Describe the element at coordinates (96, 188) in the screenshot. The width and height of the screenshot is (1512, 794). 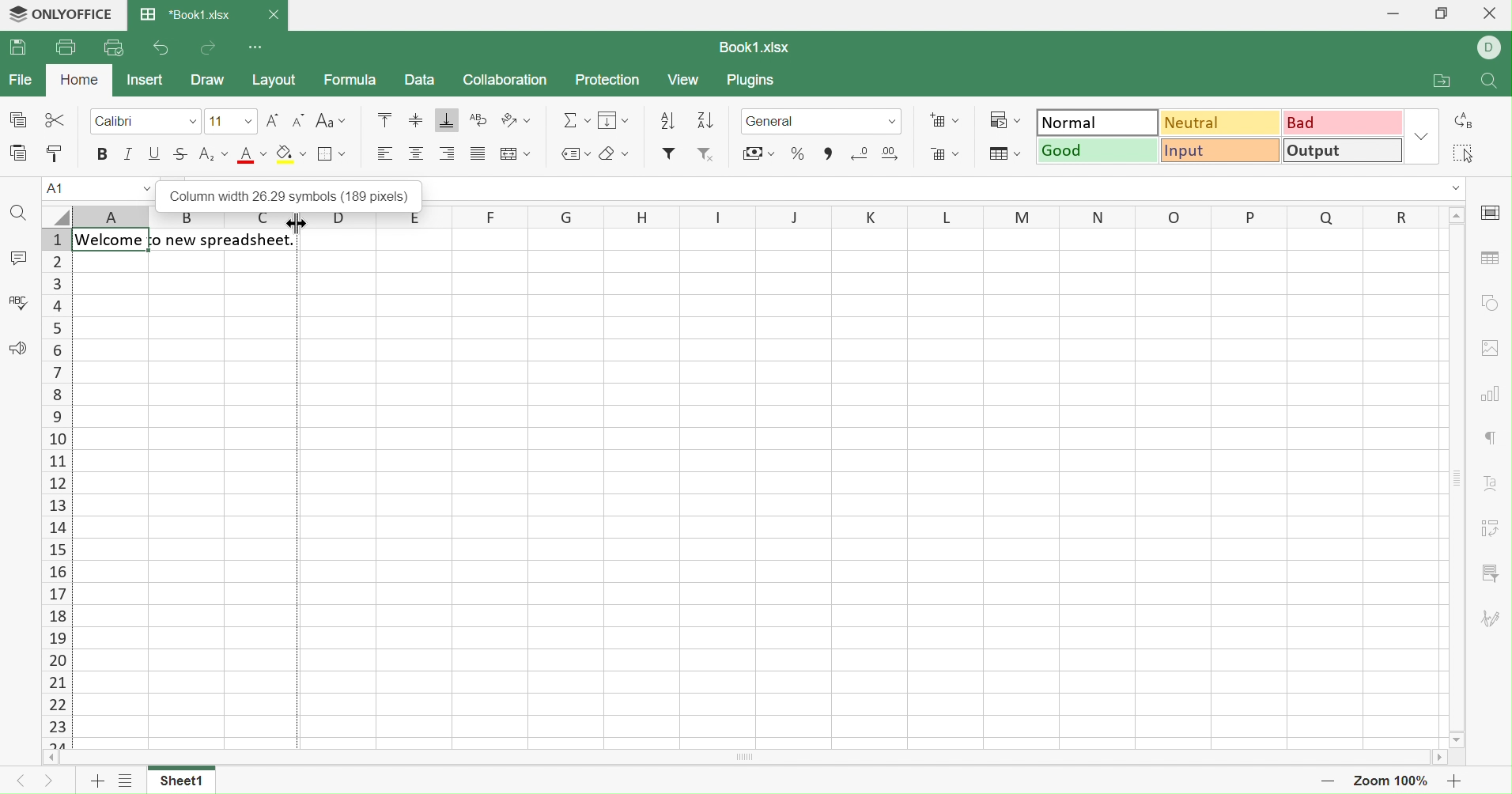
I see `A1` at that location.